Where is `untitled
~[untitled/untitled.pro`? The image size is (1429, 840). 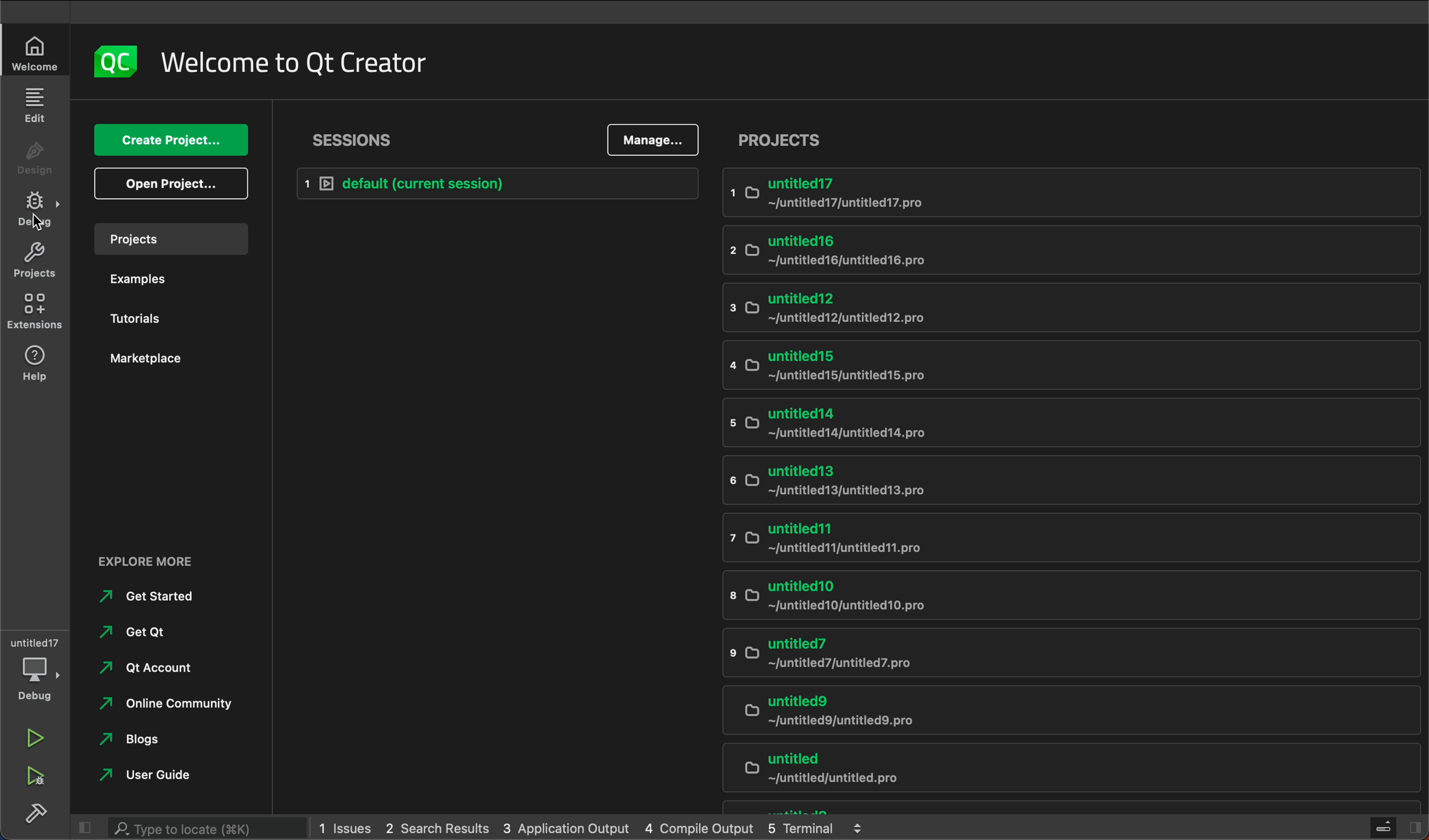 untitled
~[untitled/untitled.pro is located at coordinates (1073, 770).